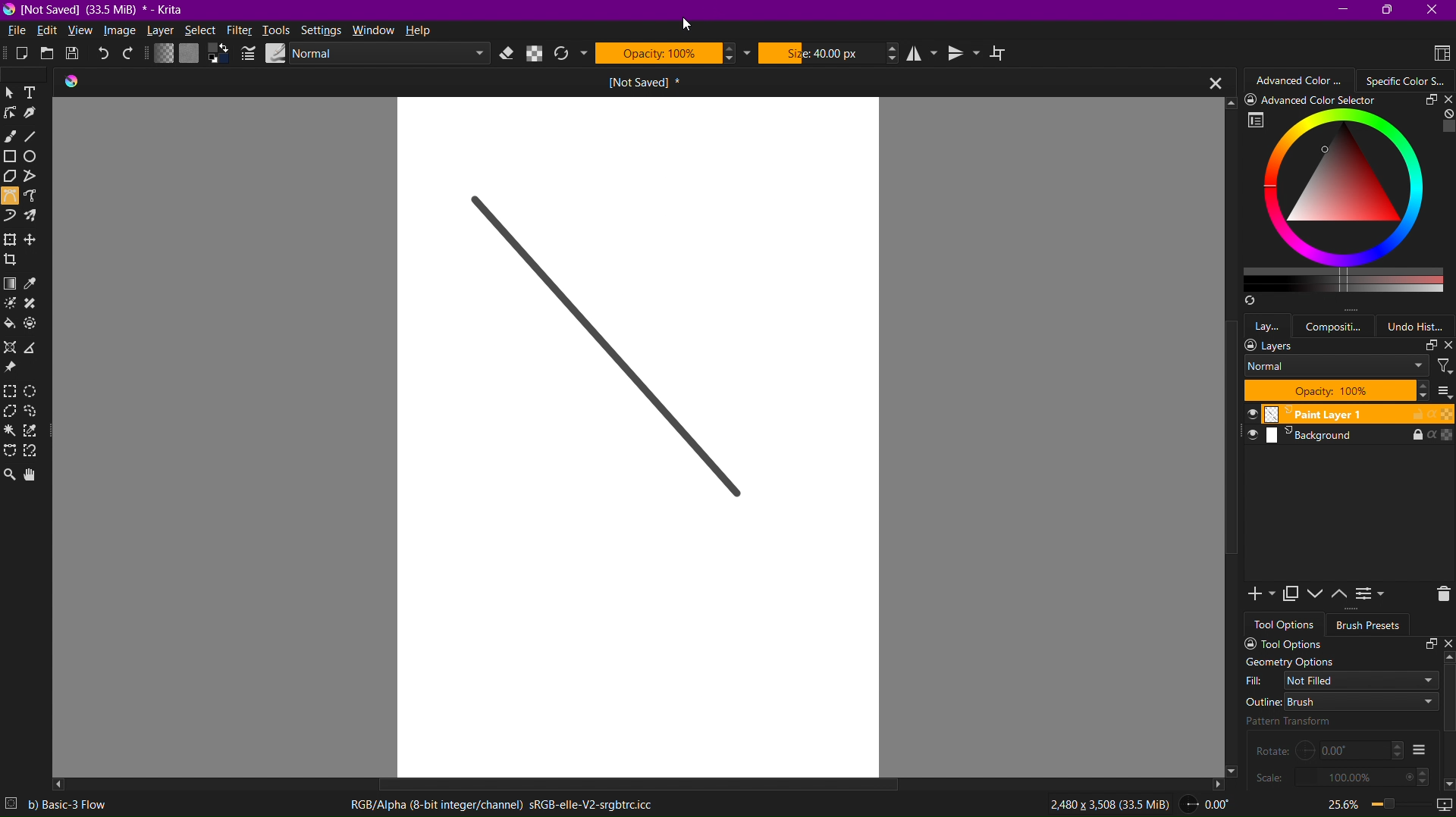 This screenshot has width=1456, height=817. I want to click on Blending Mode, so click(374, 54).